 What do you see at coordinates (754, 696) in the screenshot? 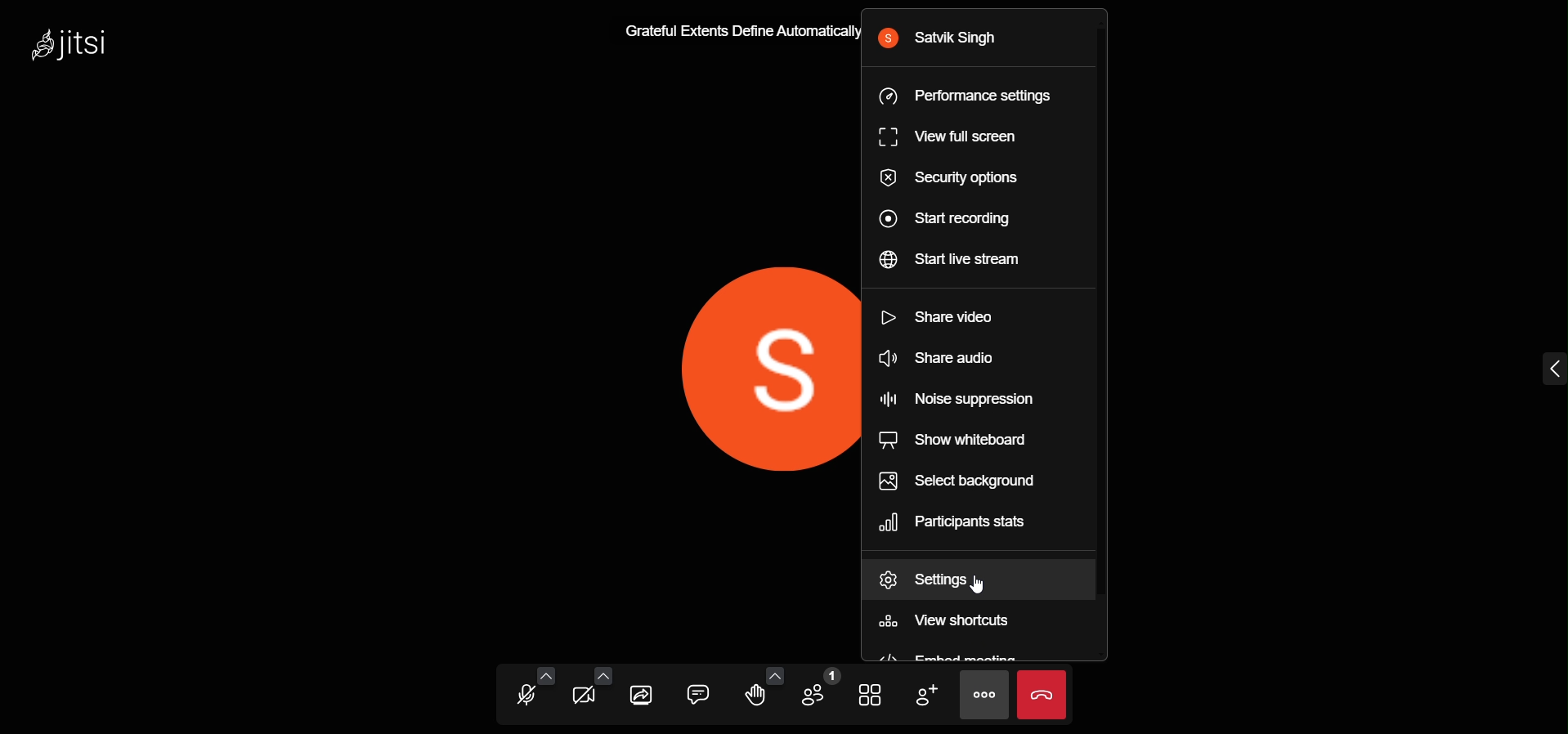
I see `raise hand` at bounding box center [754, 696].